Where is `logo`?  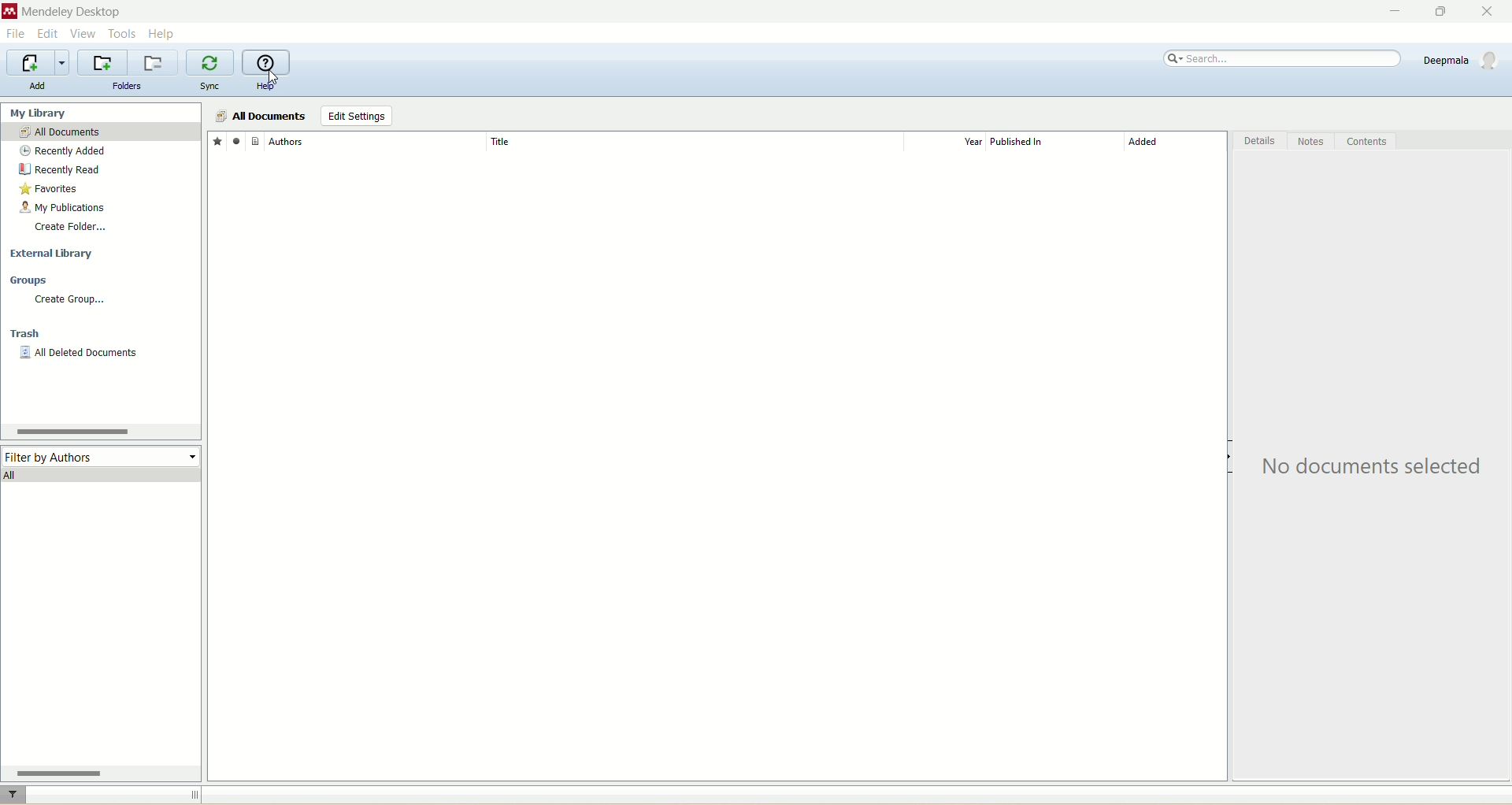 logo is located at coordinates (9, 9).